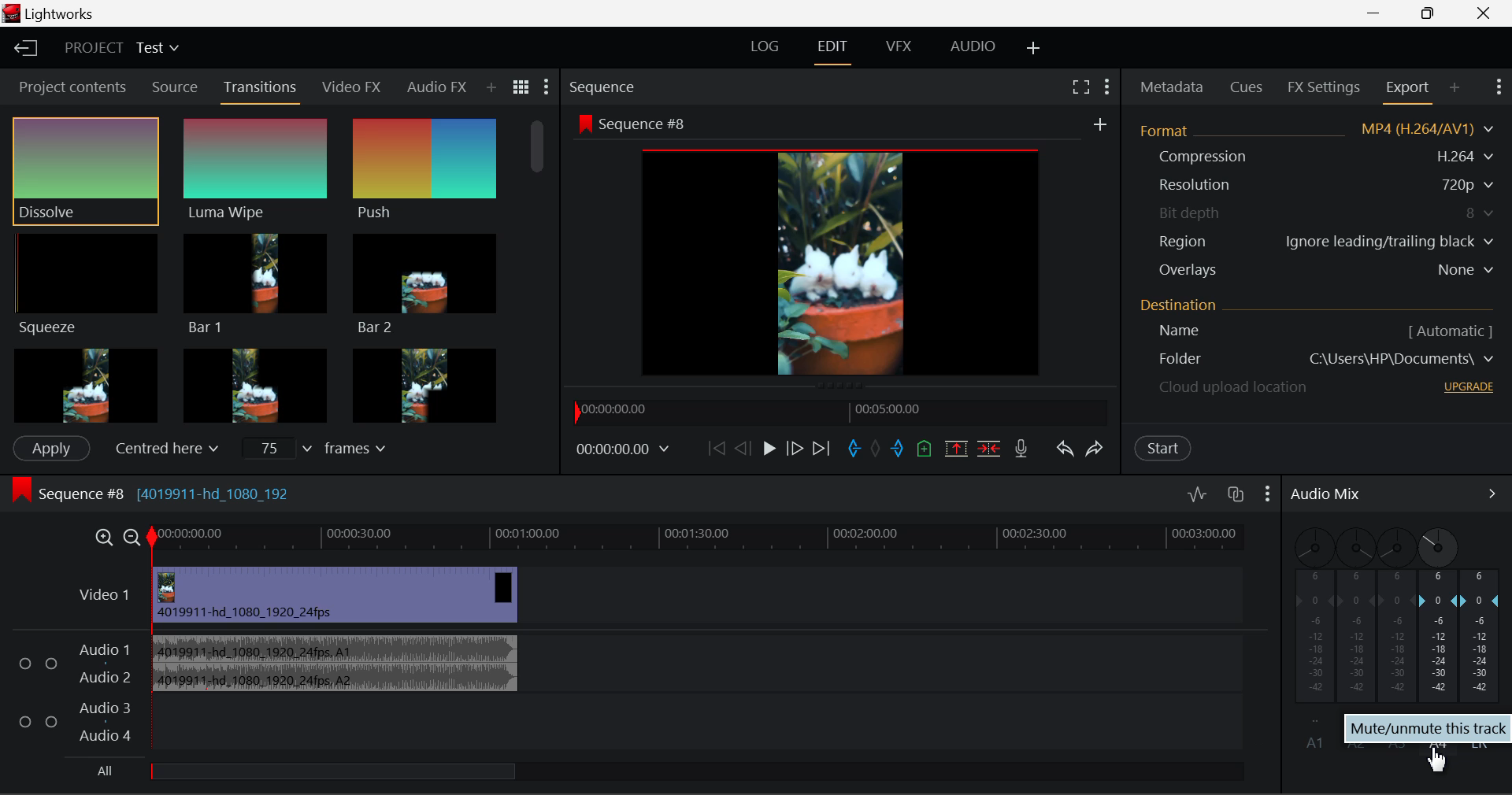 The image size is (1512, 795). I want to click on Frames Input, so click(324, 447).